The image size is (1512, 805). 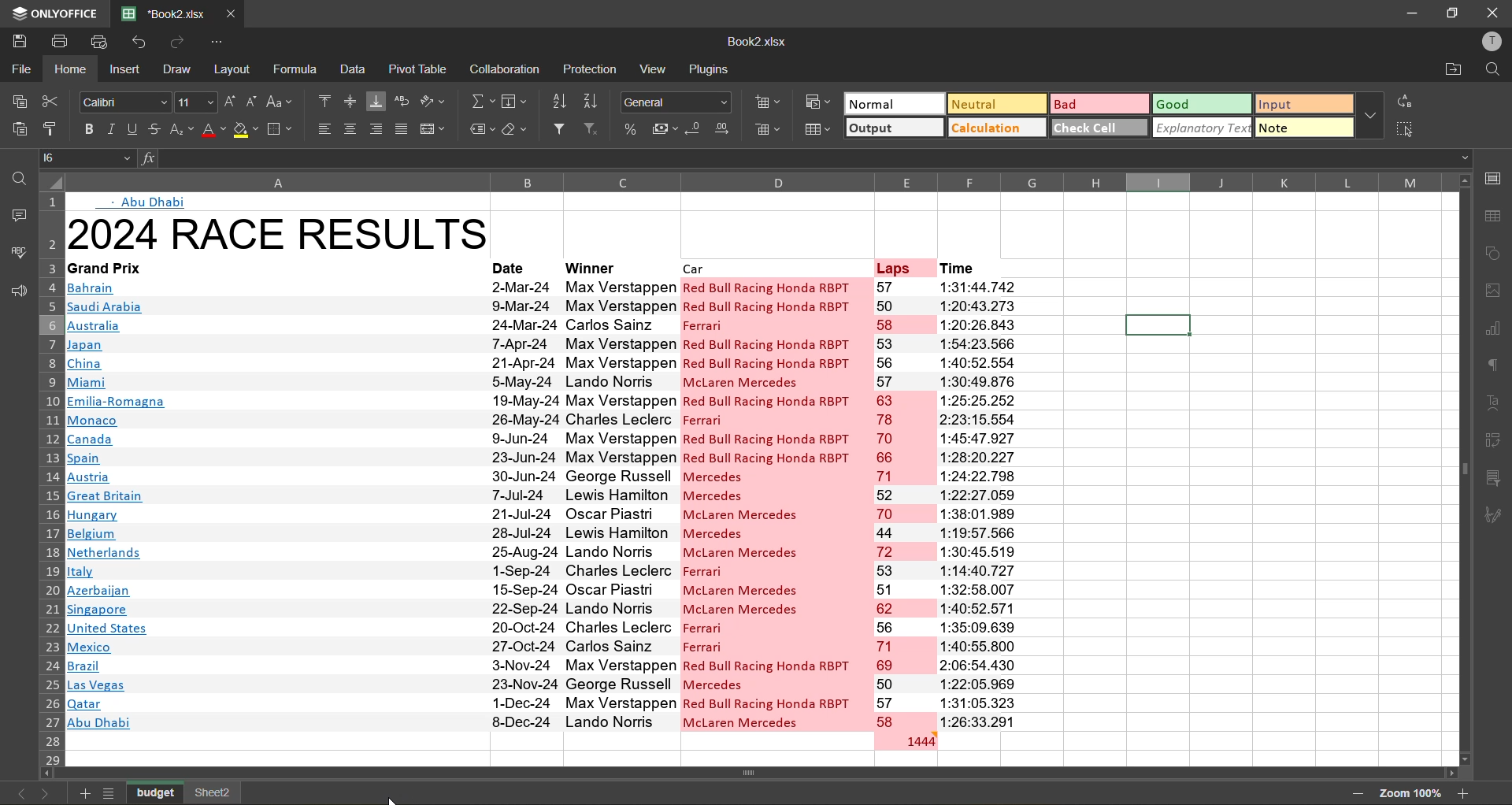 What do you see at coordinates (1495, 368) in the screenshot?
I see `paragraph` at bounding box center [1495, 368].